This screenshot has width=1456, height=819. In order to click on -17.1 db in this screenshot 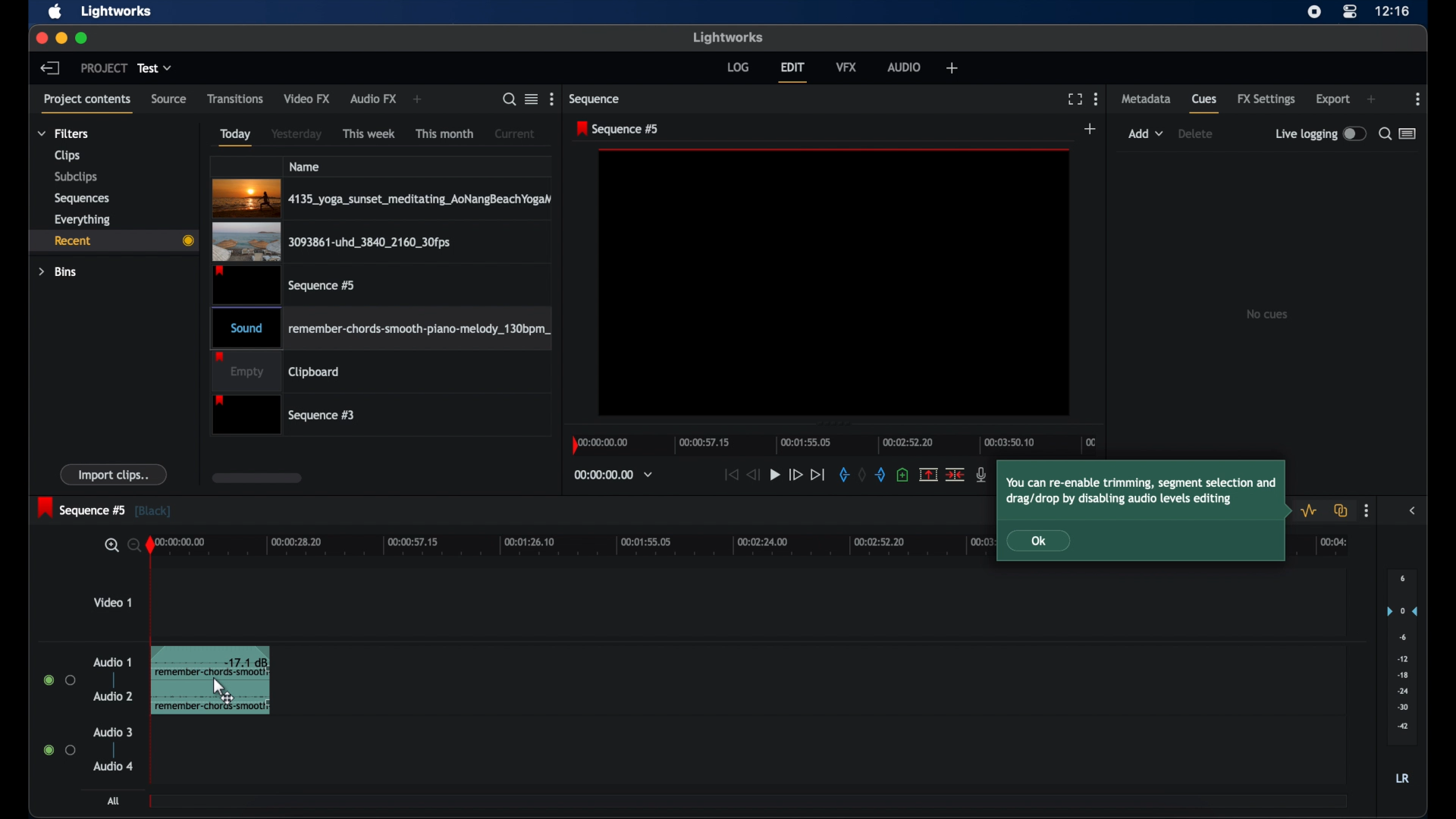, I will do `click(246, 664)`.